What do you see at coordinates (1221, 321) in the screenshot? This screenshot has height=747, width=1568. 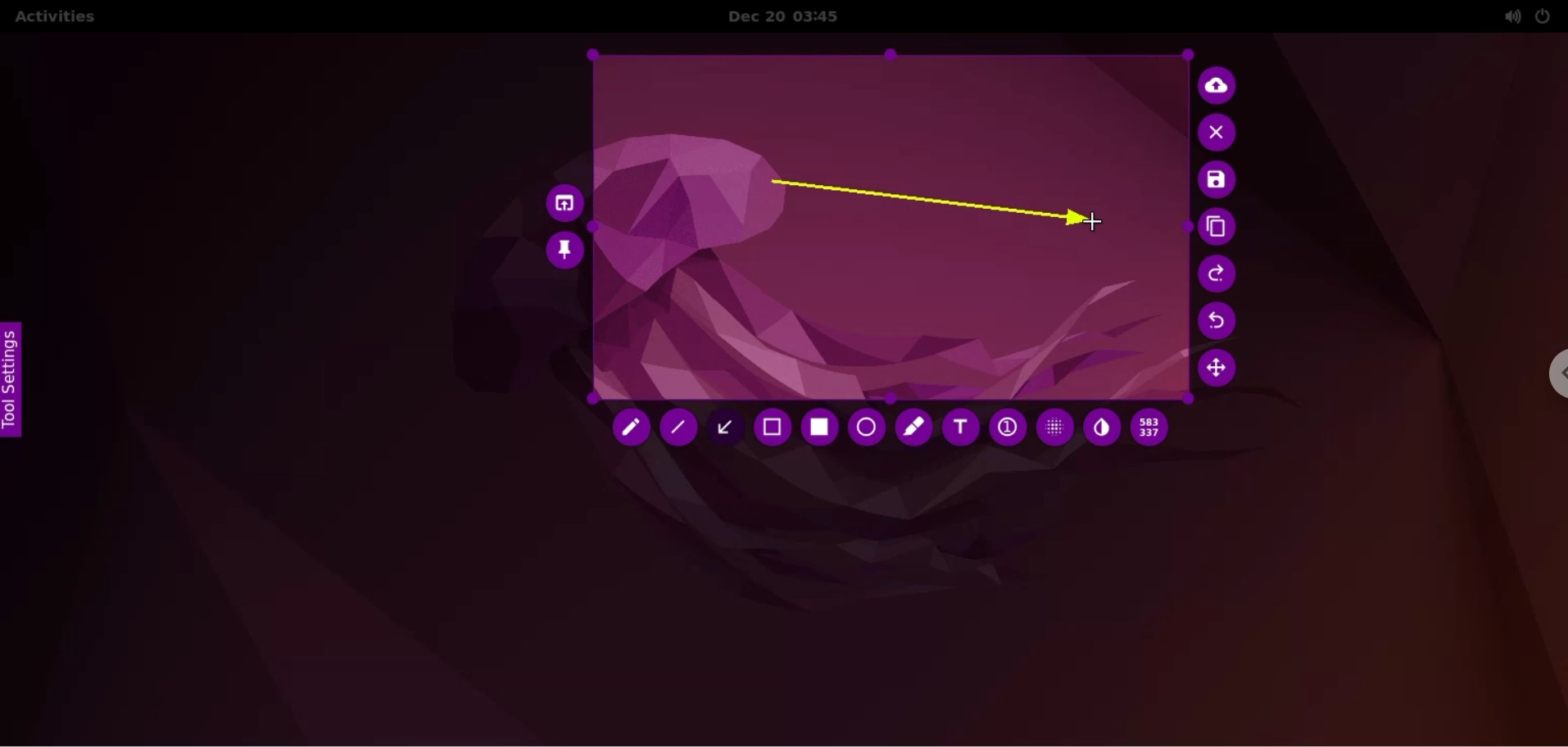 I see `undo` at bounding box center [1221, 321].